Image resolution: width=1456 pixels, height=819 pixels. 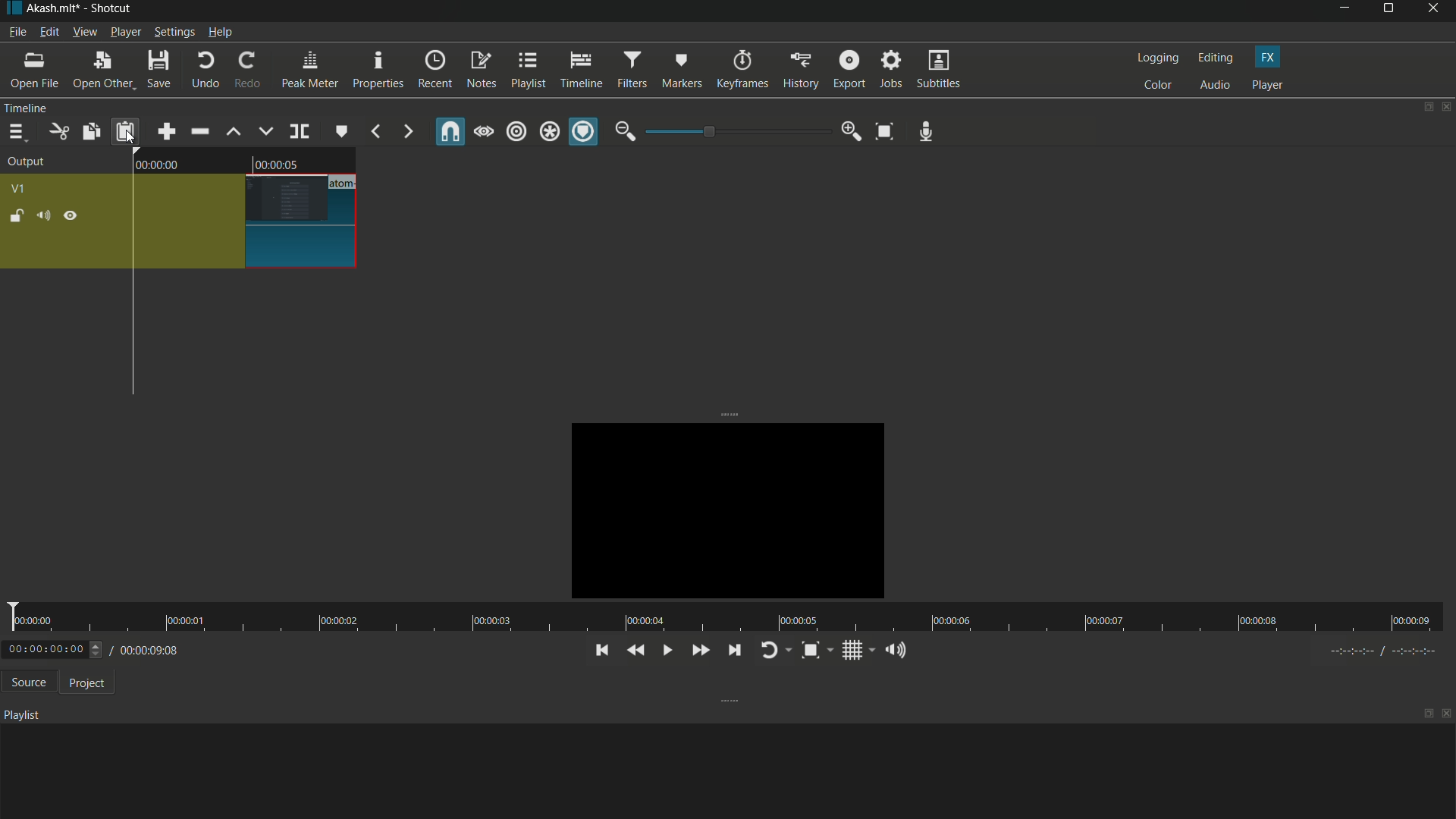 I want to click on redo, so click(x=244, y=70).